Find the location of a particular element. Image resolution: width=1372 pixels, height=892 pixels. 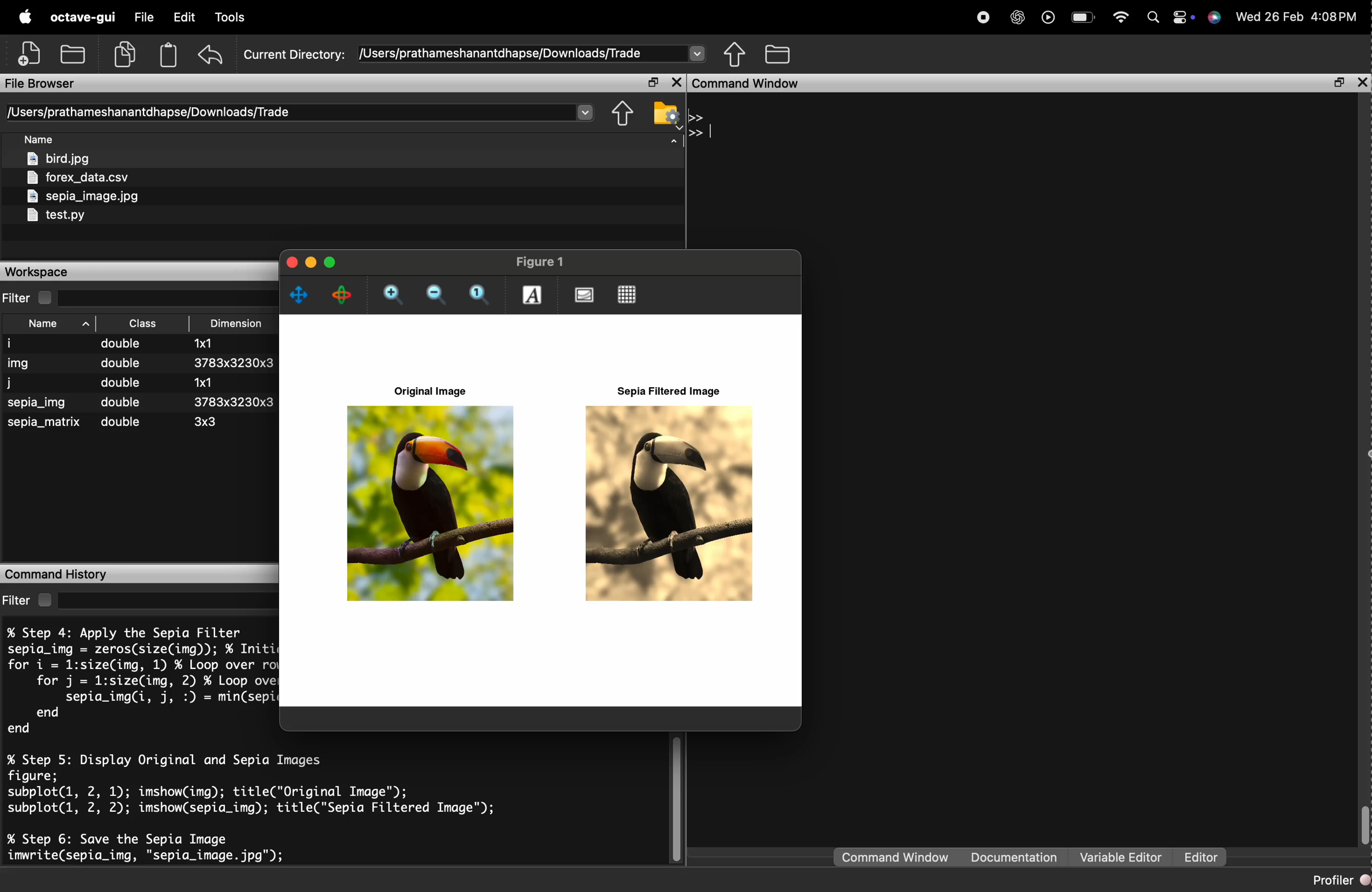

Toggle current axes grid visibility is located at coordinates (626, 295).